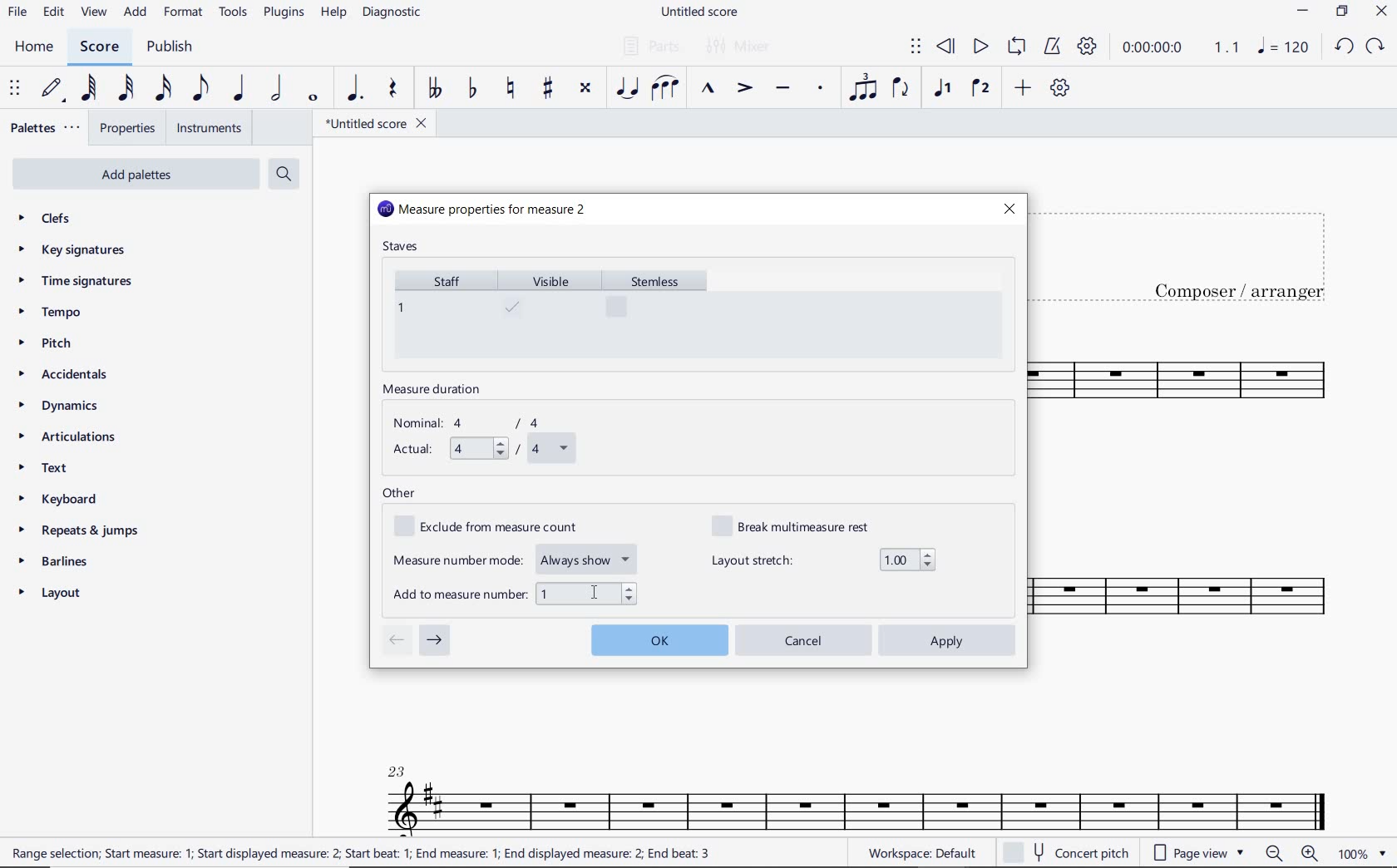  I want to click on range selection, so click(363, 854).